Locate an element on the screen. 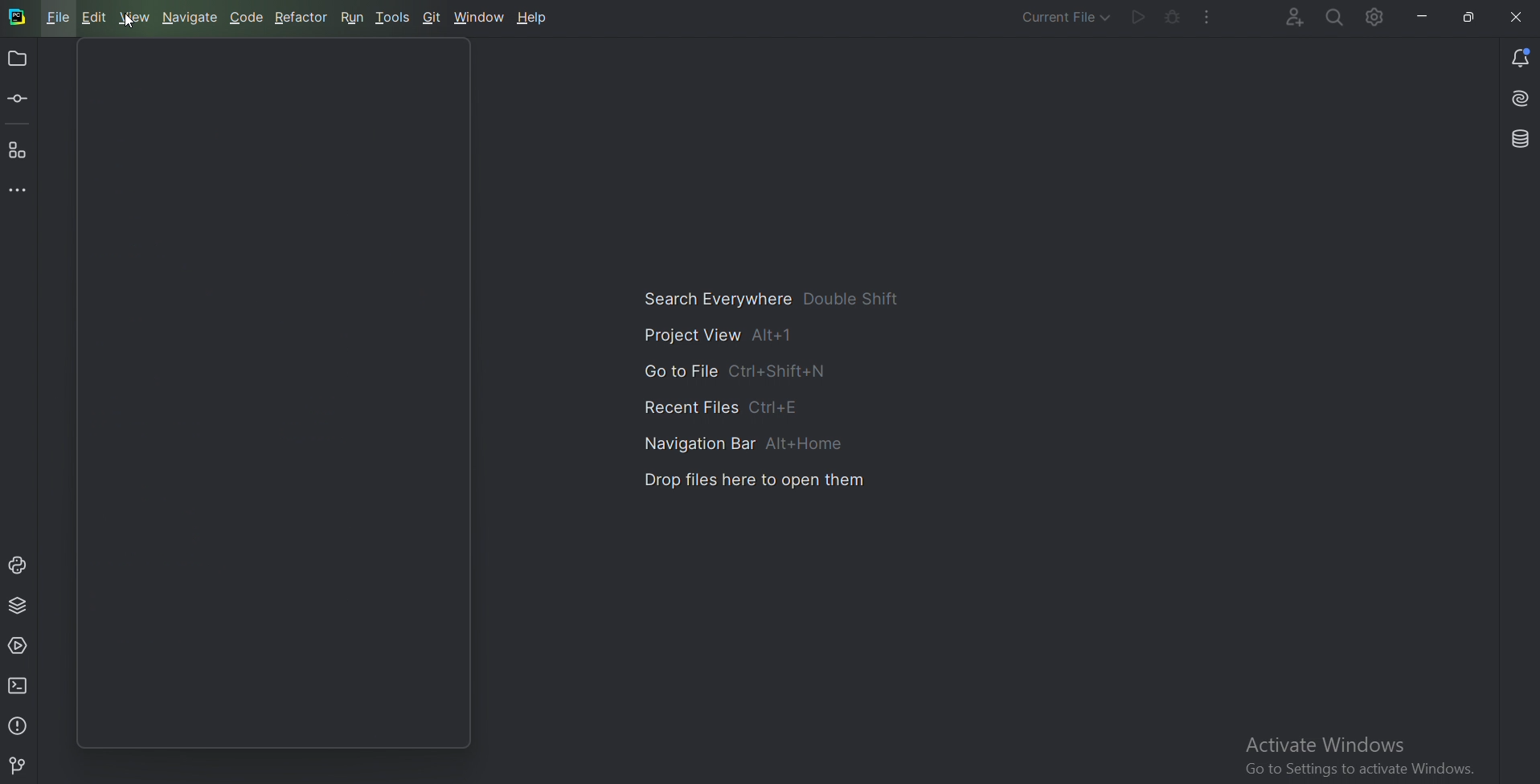 This screenshot has height=784, width=1540. Run is located at coordinates (352, 16).